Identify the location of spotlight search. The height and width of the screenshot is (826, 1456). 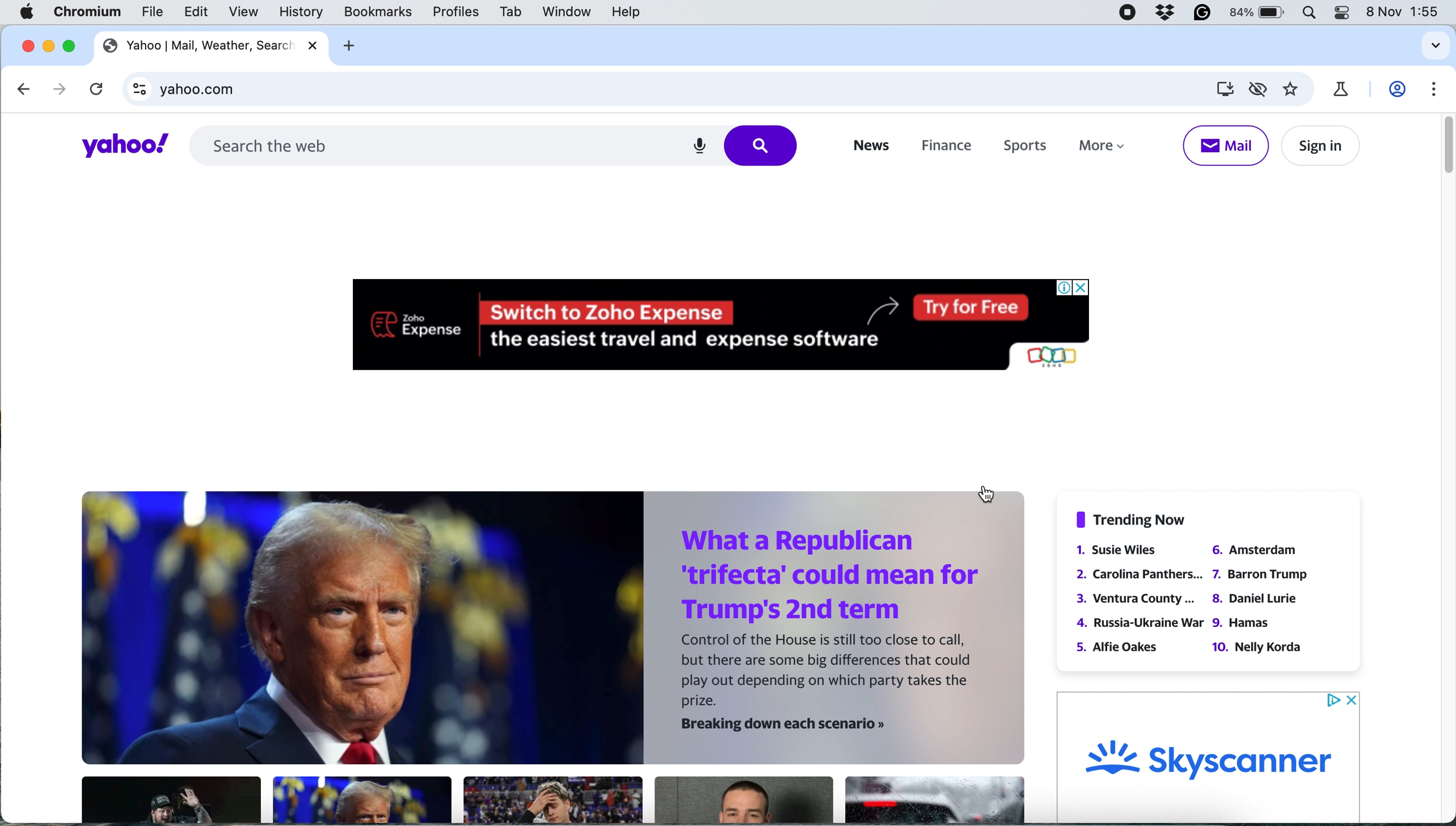
(1310, 13).